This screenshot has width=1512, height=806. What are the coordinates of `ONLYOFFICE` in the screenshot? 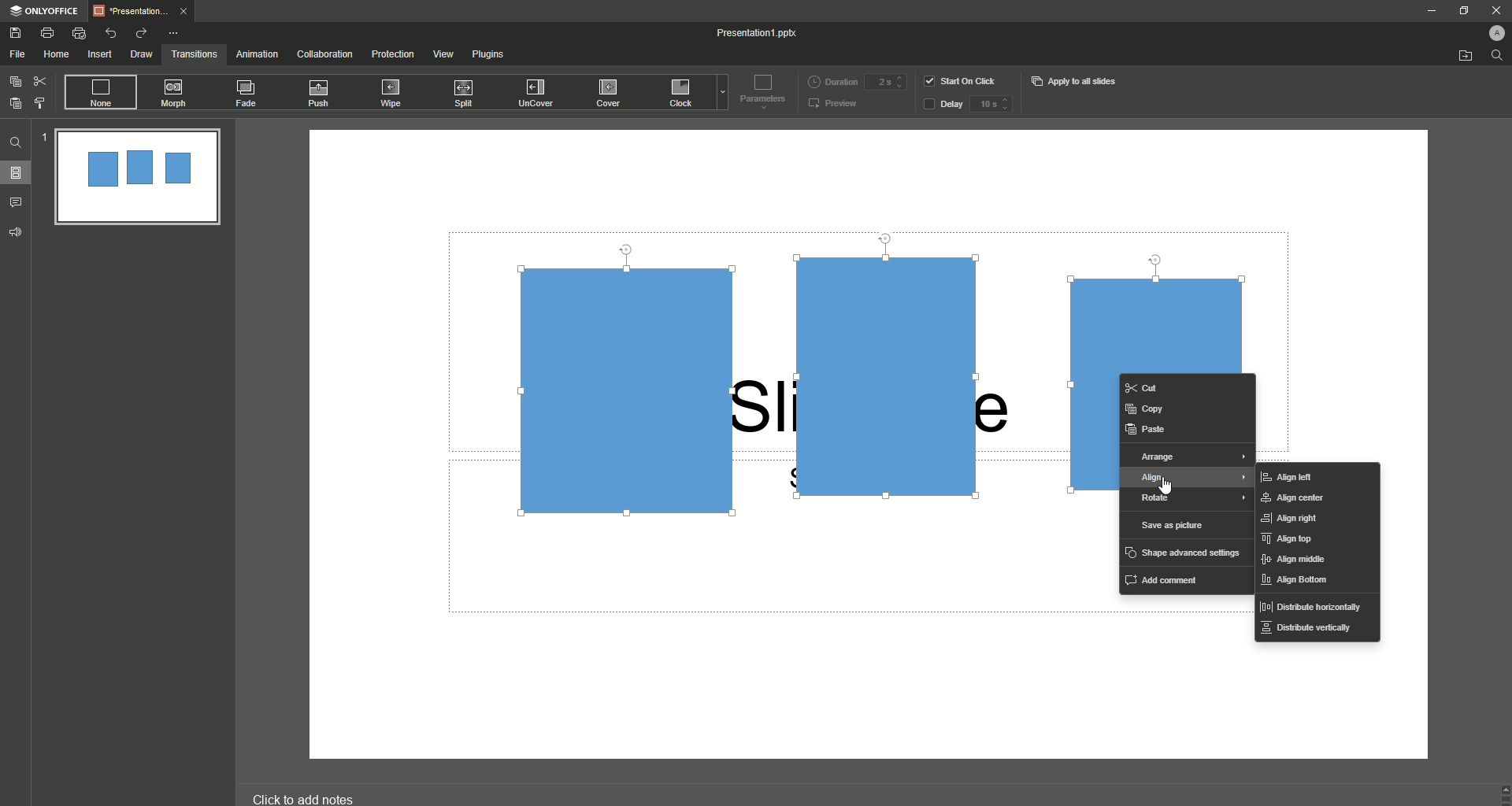 It's located at (44, 11).